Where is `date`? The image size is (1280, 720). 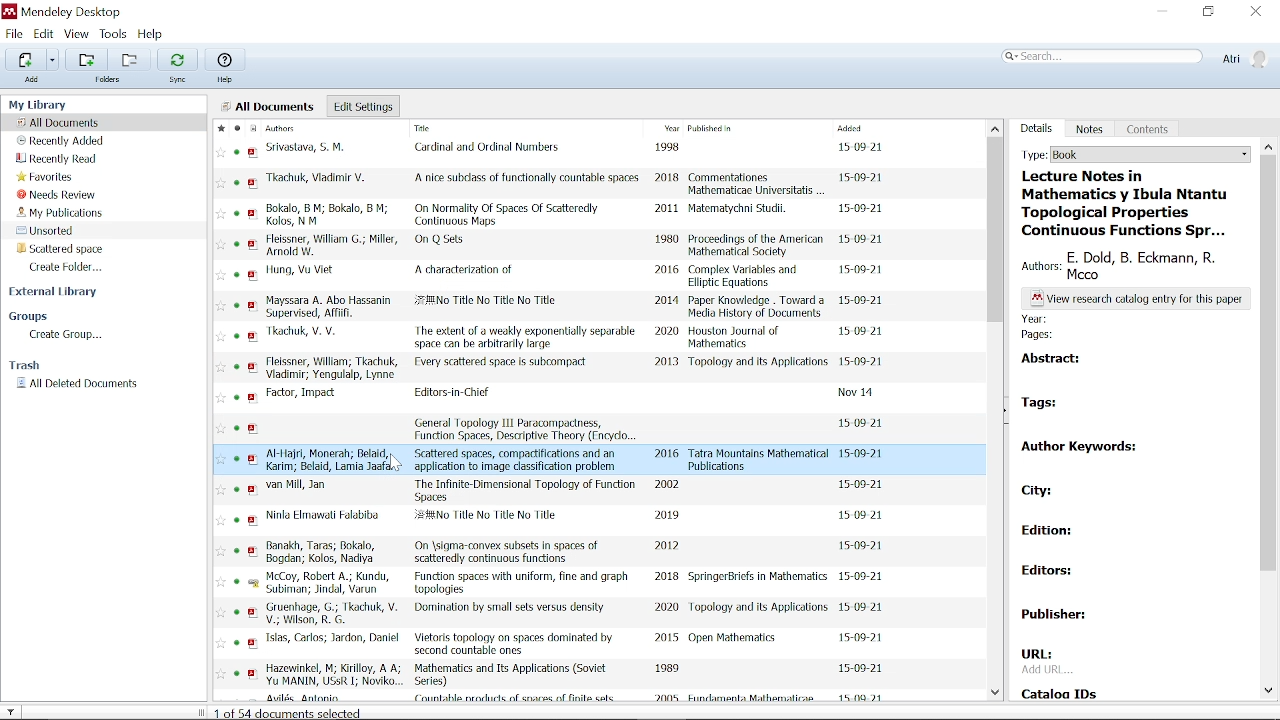
date is located at coordinates (863, 209).